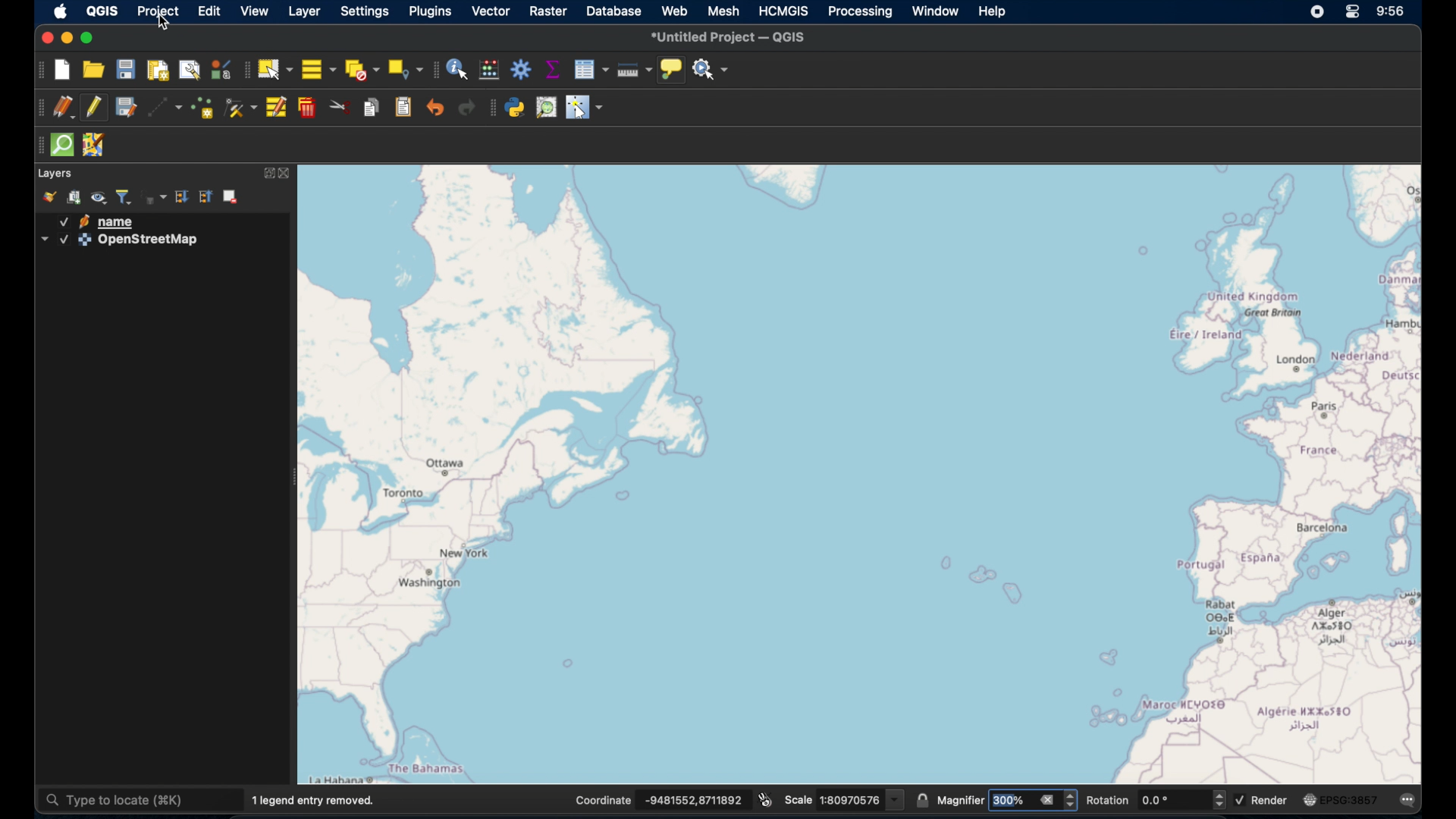 This screenshot has width=1456, height=819. Describe the element at coordinates (435, 107) in the screenshot. I see `undo` at that location.